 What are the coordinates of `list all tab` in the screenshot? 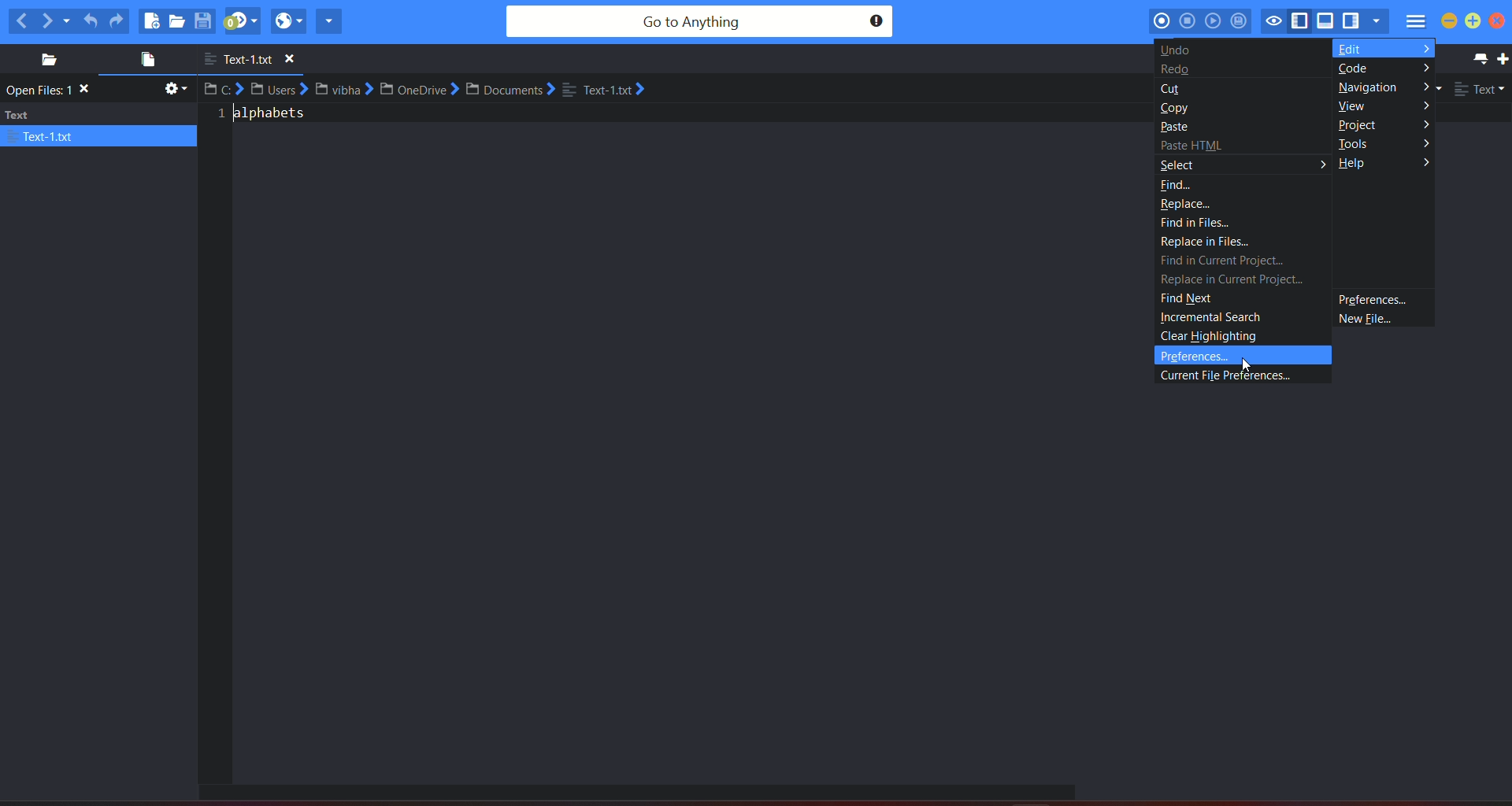 It's located at (1477, 58).